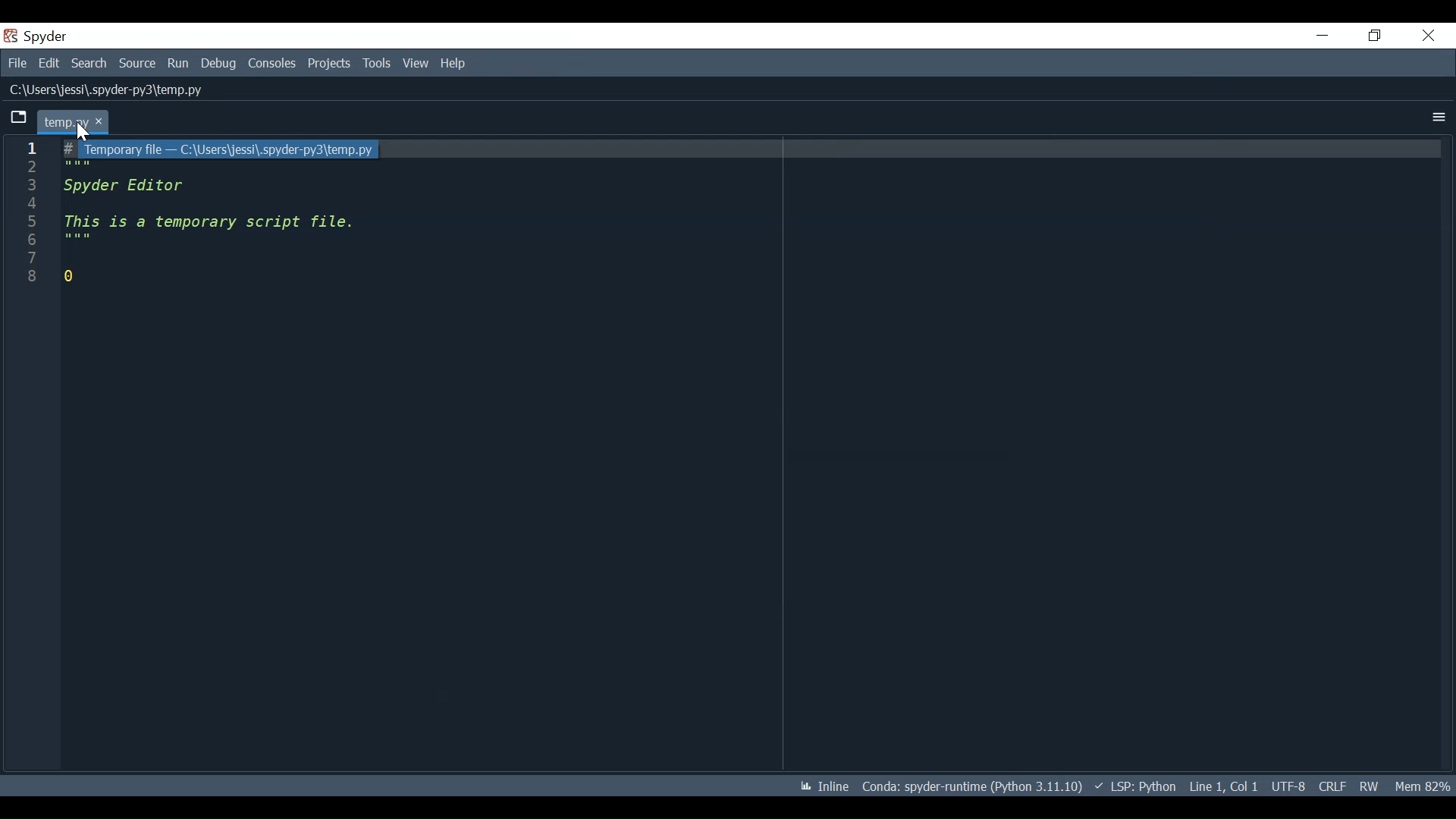 This screenshot has height=819, width=1456. I want to click on File Encoding, so click(1287, 787).